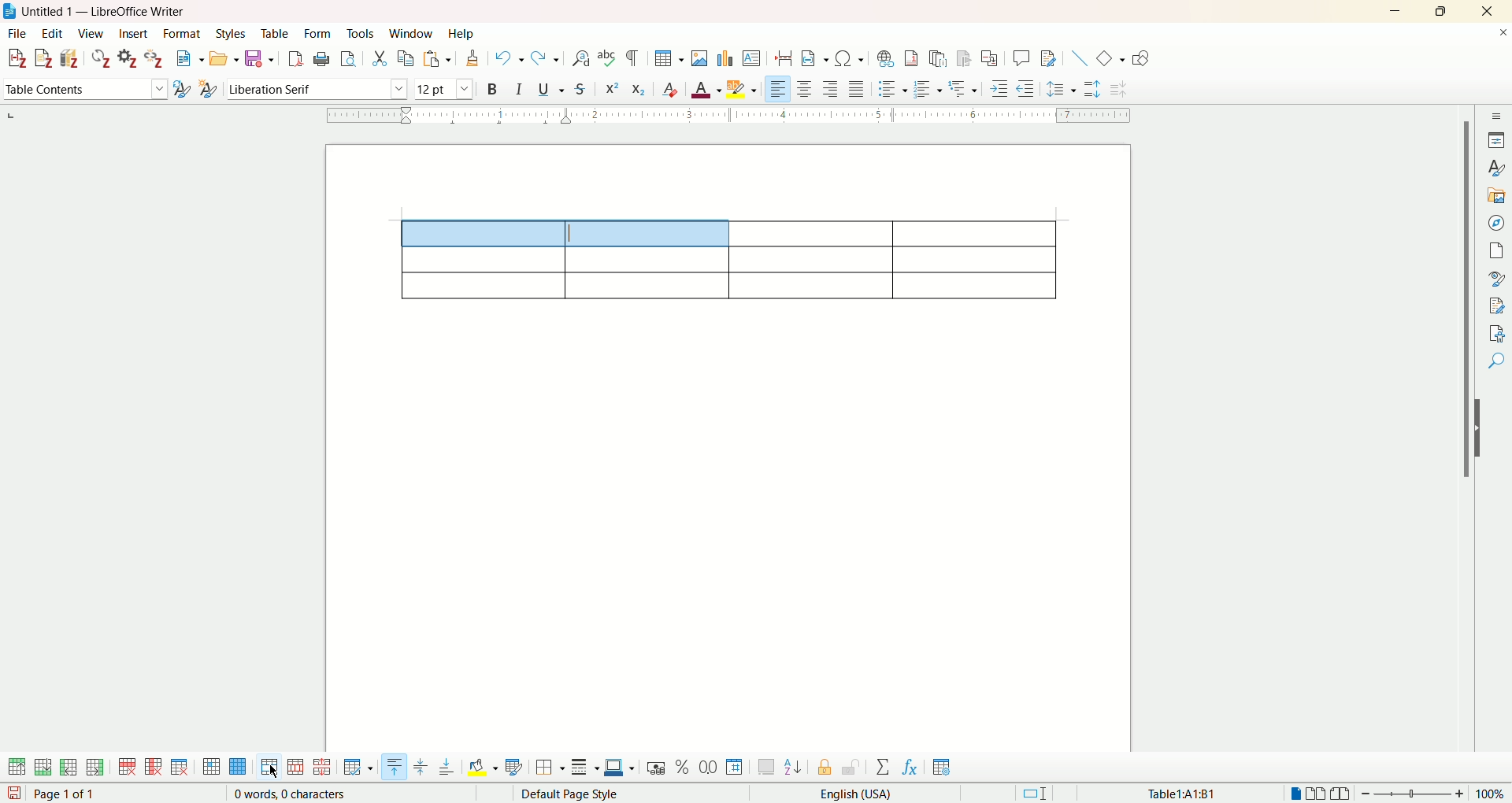 This screenshot has width=1512, height=803. What do you see at coordinates (636, 58) in the screenshot?
I see `formatting marks` at bounding box center [636, 58].